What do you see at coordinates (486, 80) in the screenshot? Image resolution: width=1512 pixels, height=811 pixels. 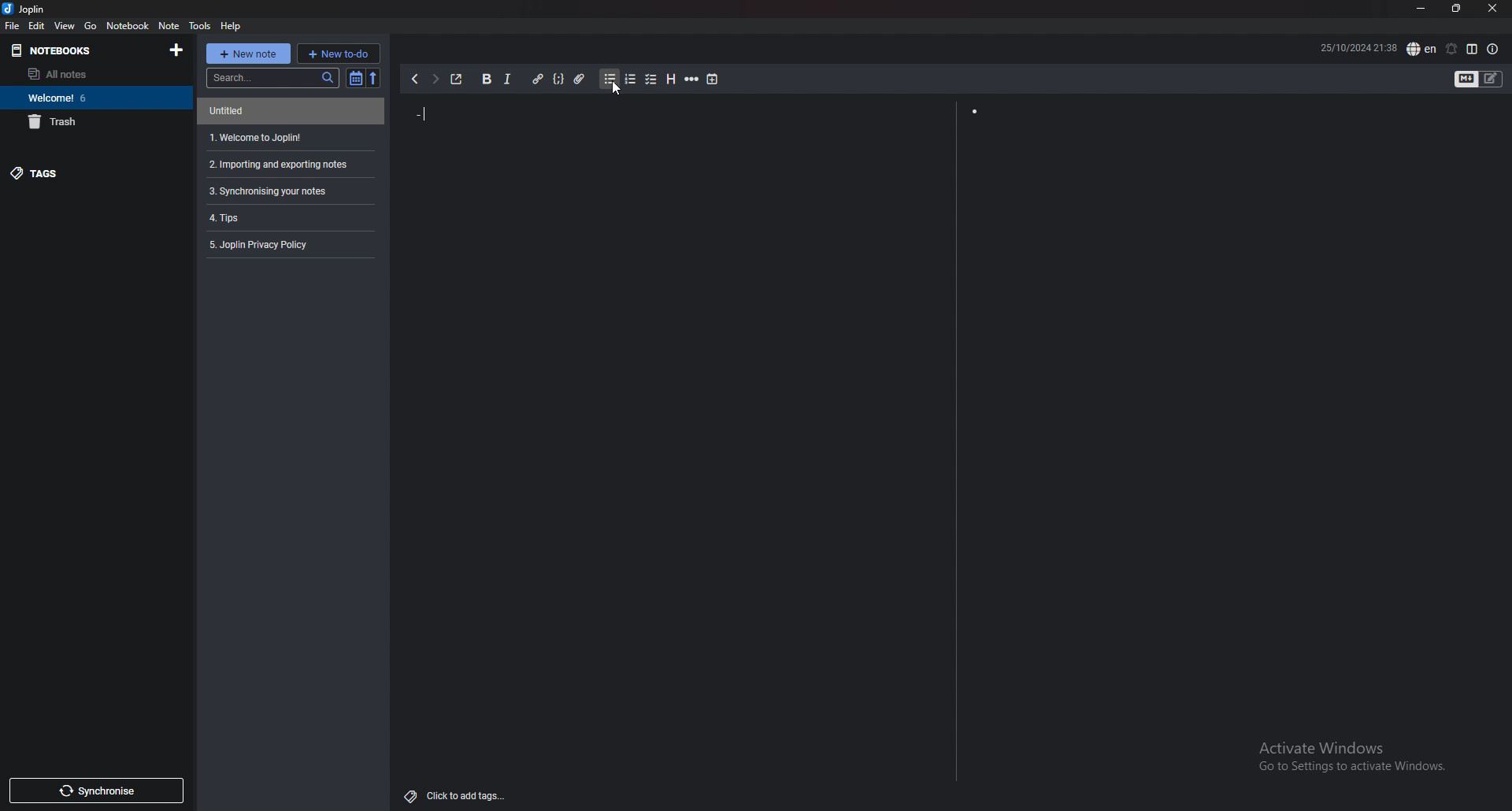 I see `Bold` at bounding box center [486, 80].